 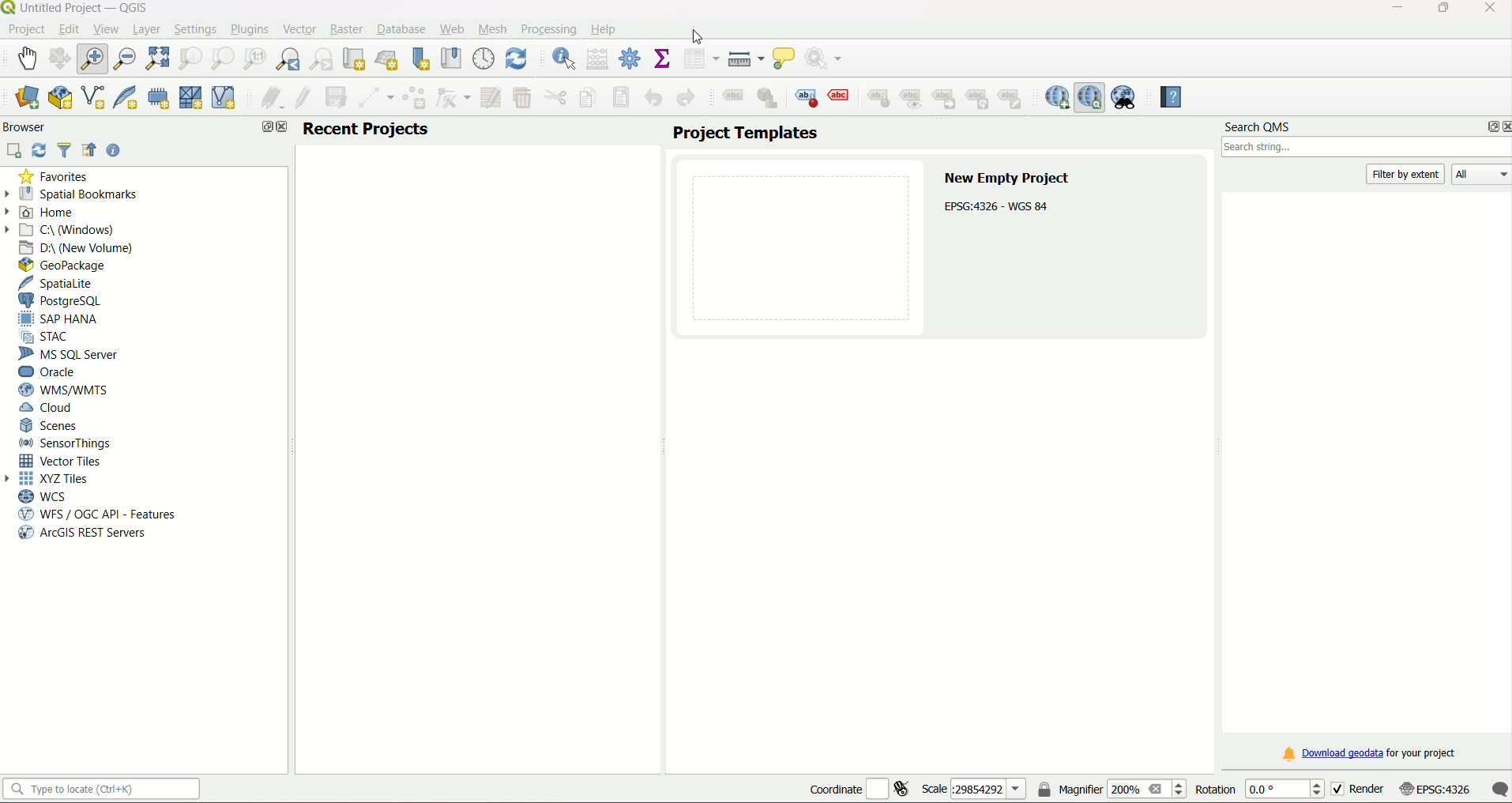 I want to click on STAC, so click(x=50, y=337).